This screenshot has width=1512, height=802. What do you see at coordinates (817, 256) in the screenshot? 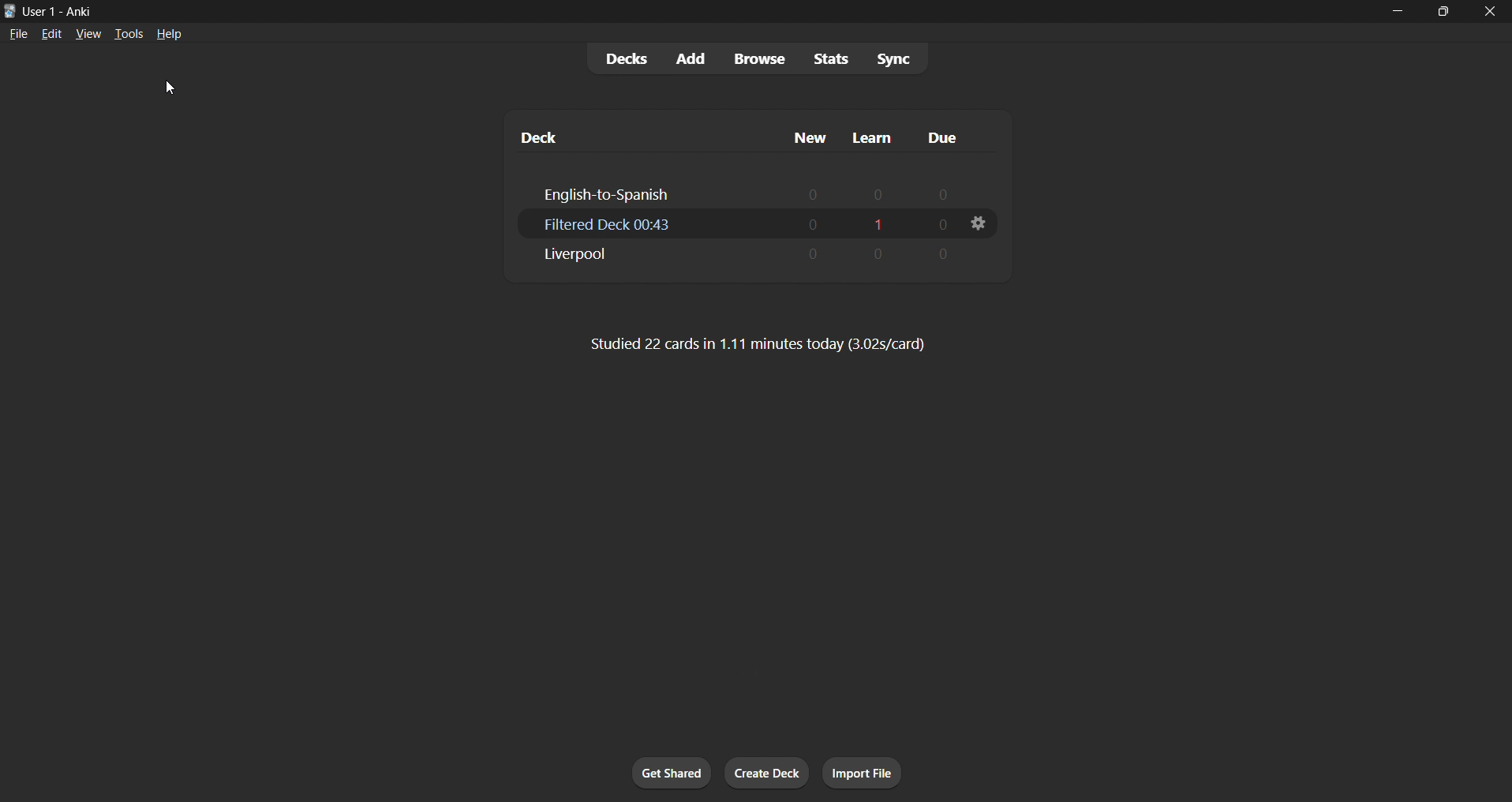
I see `0` at bounding box center [817, 256].